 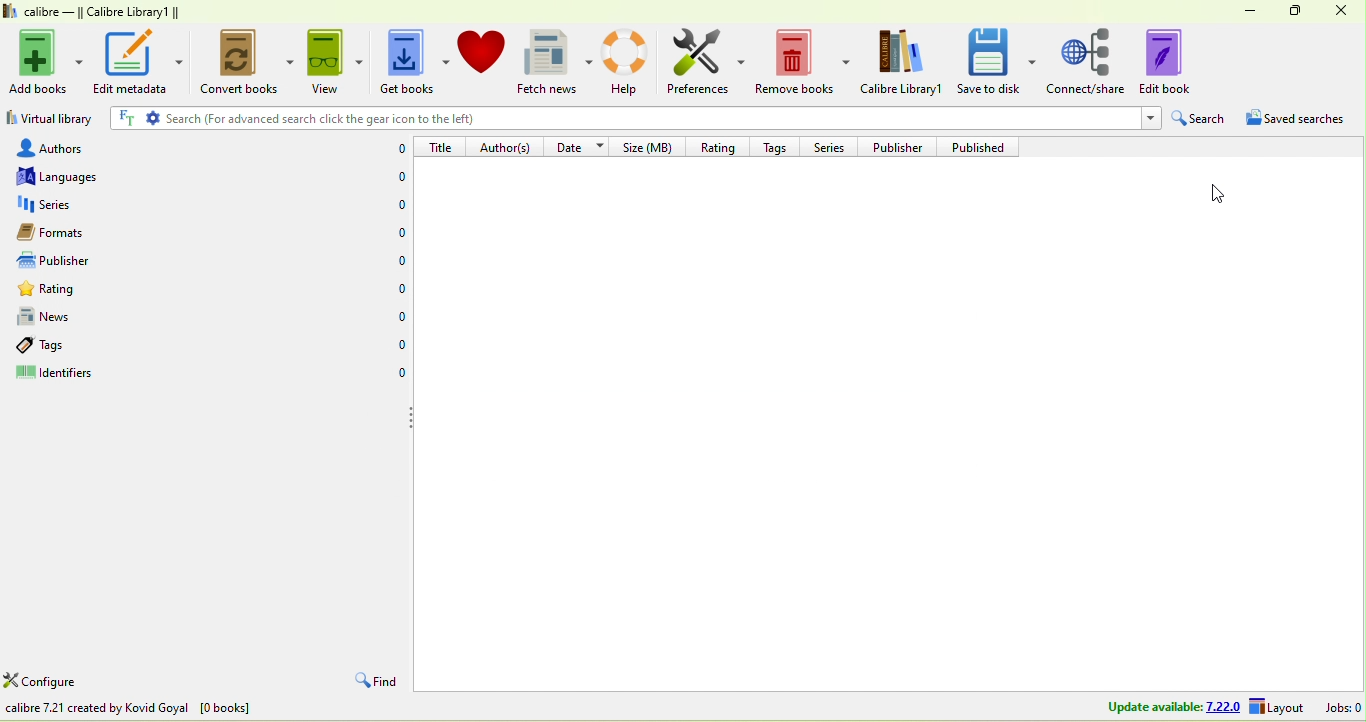 I want to click on maximize, so click(x=1290, y=10).